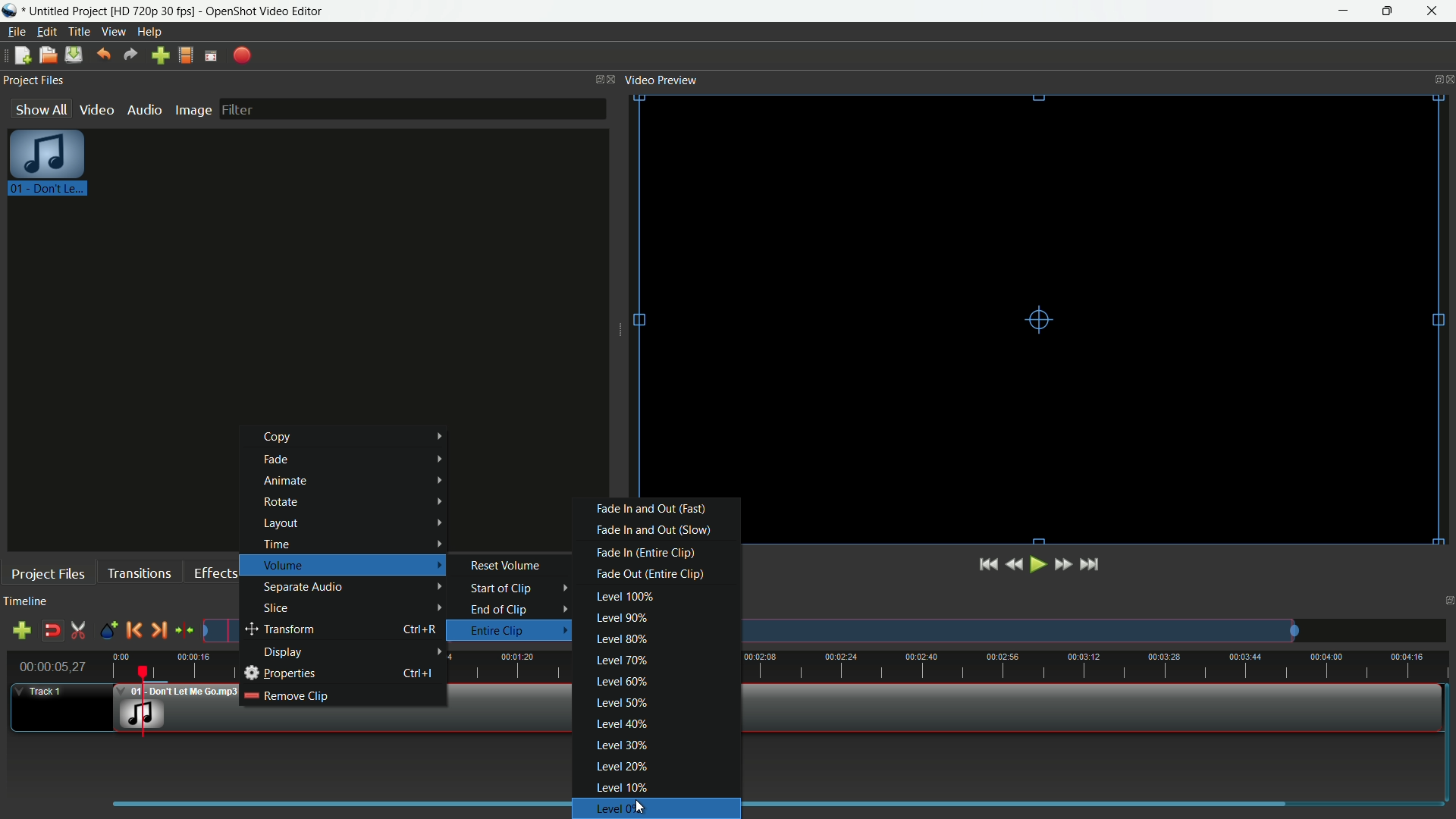 The height and width of the screenshot is (819, 1456). What do you see at coordinates (353, 523) in the screenshot?
I see `layout` at bounding box center [353, 523].